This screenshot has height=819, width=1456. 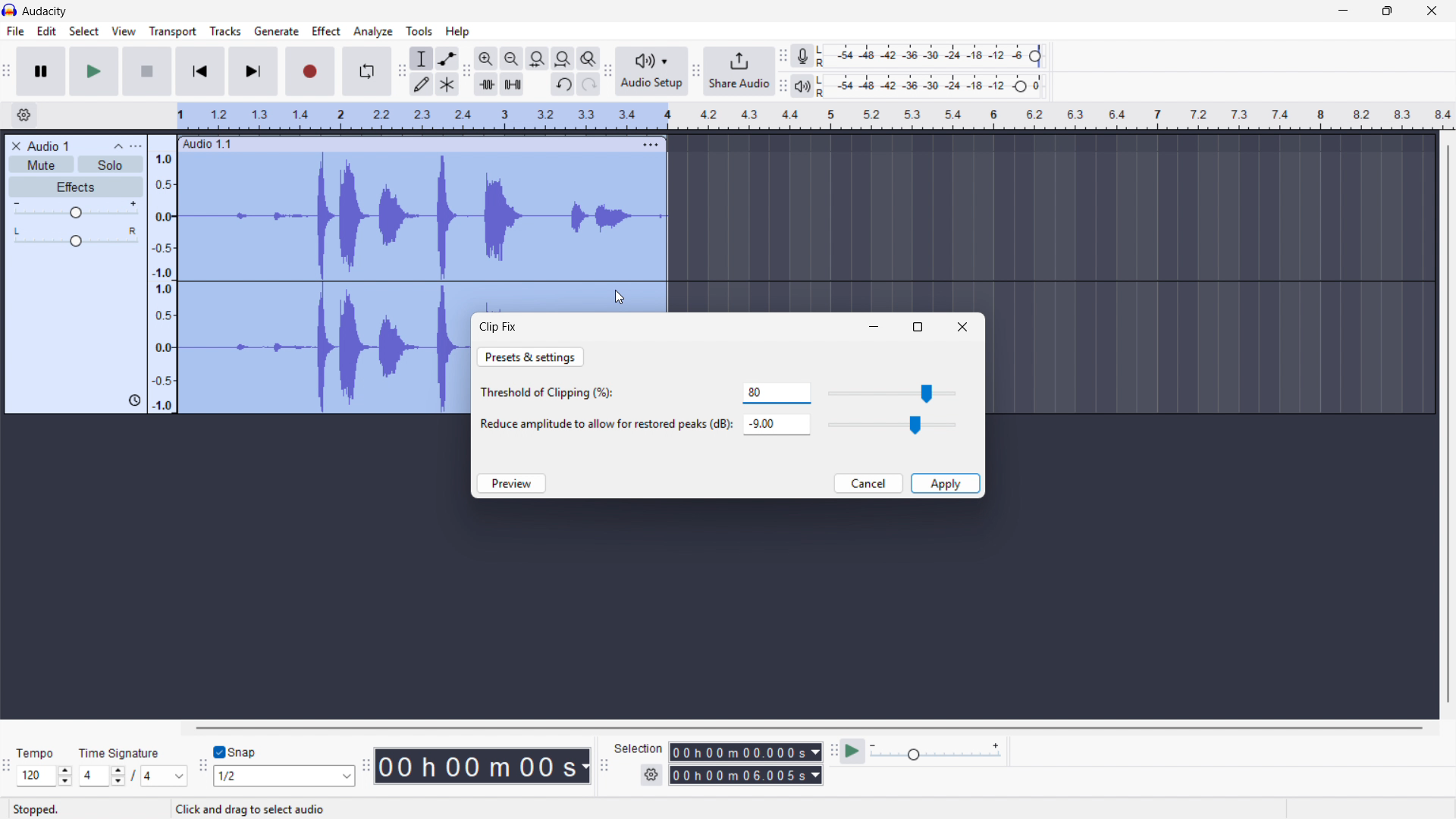 I want to click on toggle zoom, so click(x=588, y=58).